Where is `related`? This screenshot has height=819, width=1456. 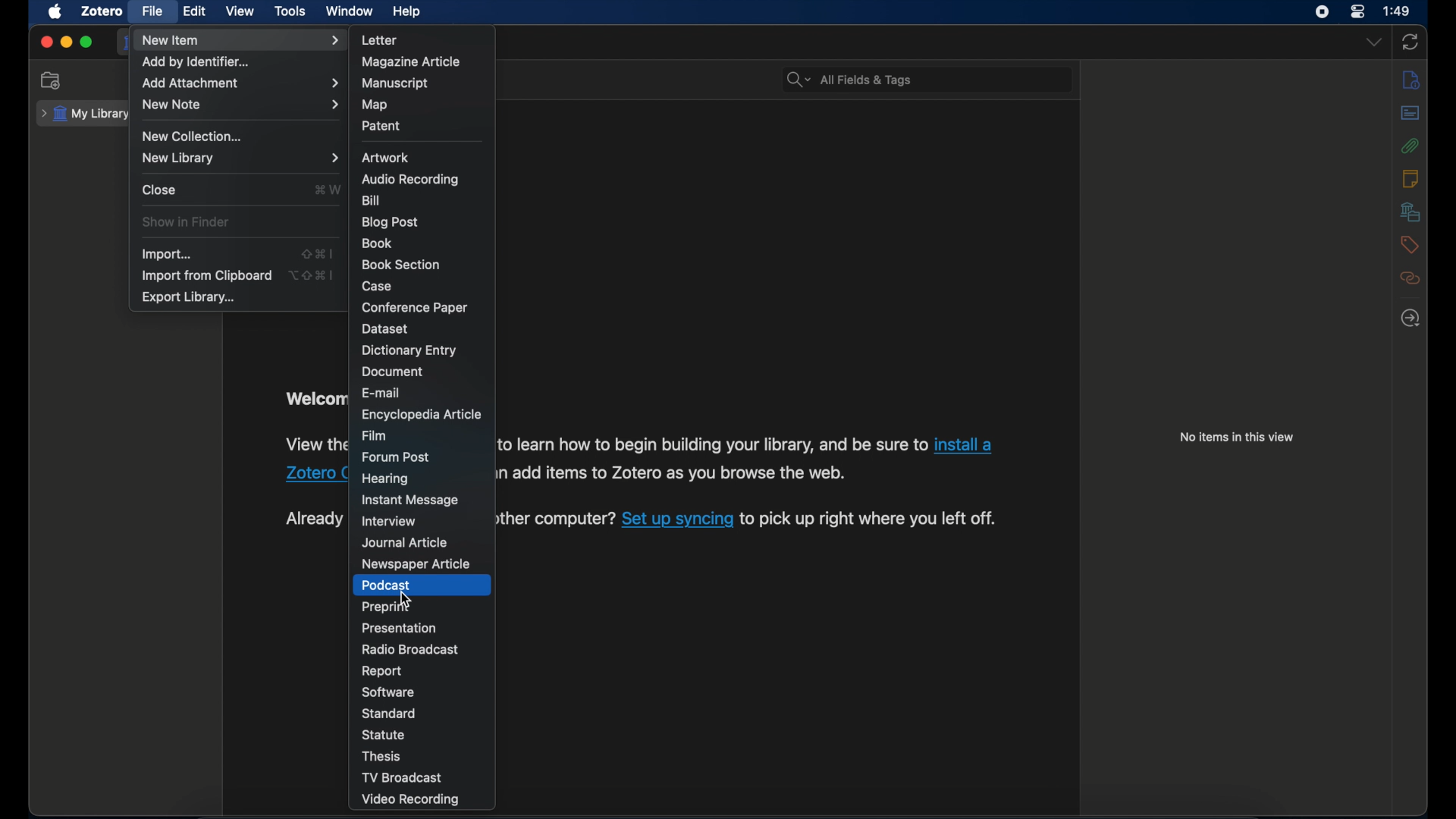
related is located at coordinates (1411, 279).